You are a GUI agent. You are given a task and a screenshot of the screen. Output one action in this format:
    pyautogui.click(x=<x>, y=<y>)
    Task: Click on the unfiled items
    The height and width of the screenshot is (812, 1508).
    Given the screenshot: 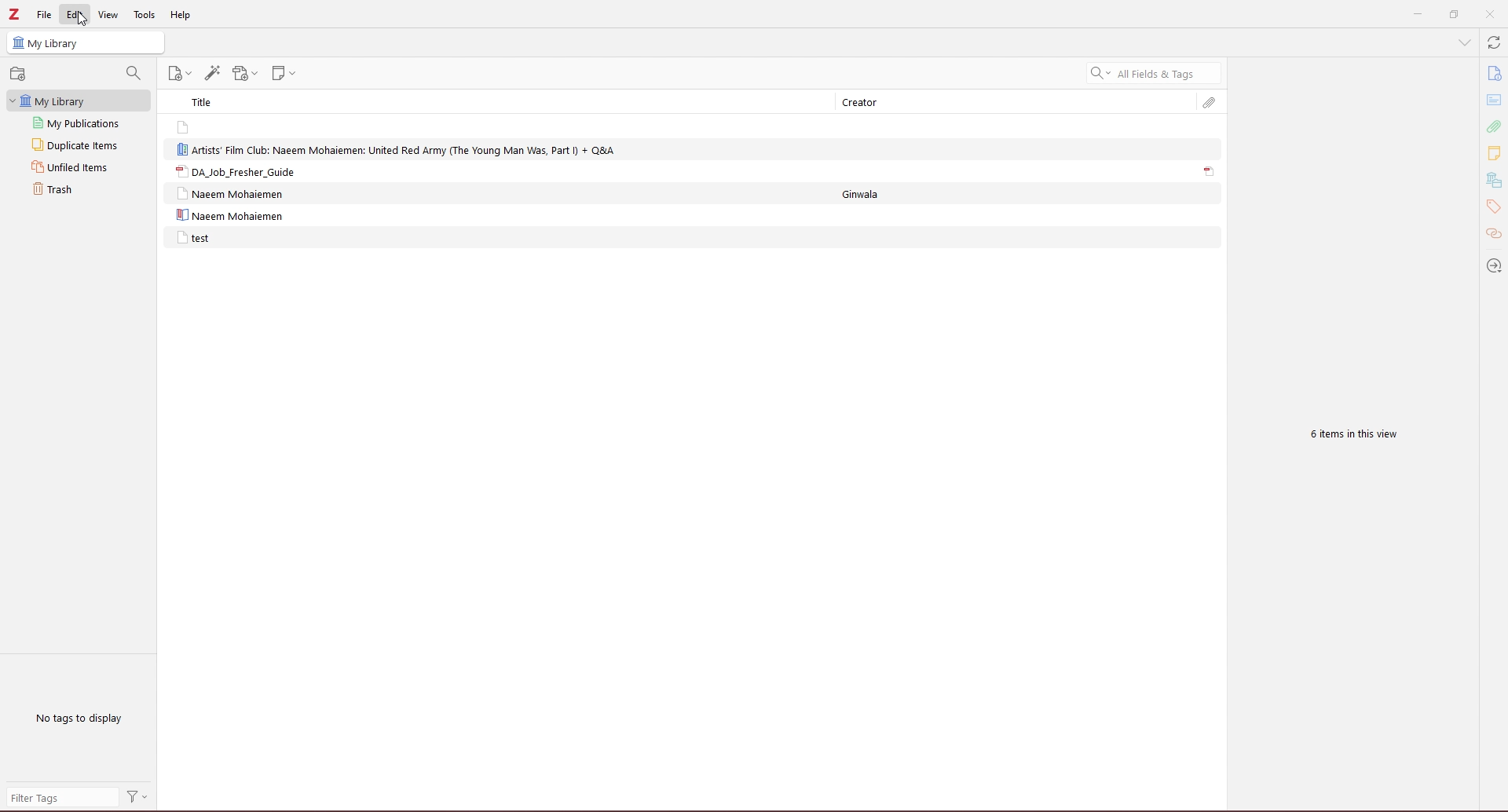 What is the action you would take?
    pyautogui.click(x=76, y=167)
    